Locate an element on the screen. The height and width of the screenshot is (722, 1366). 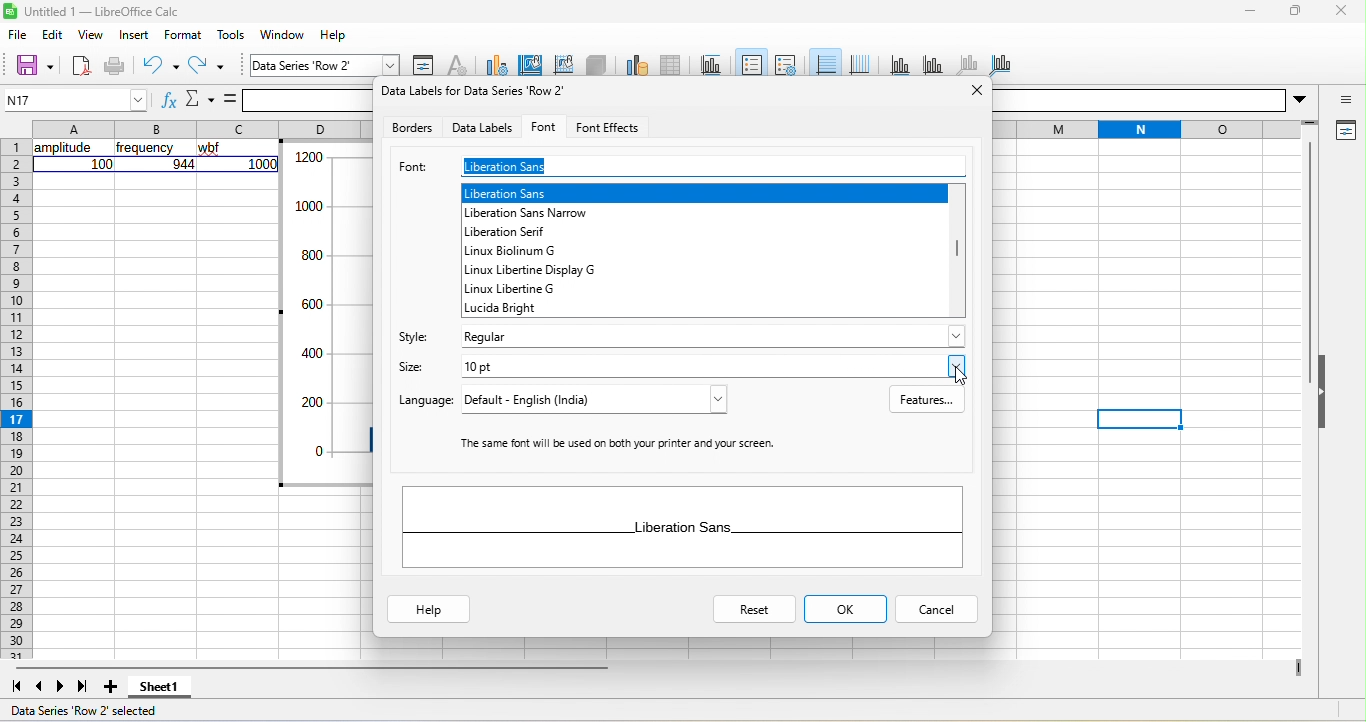
previous sheet is located at coordinates (41, 687).